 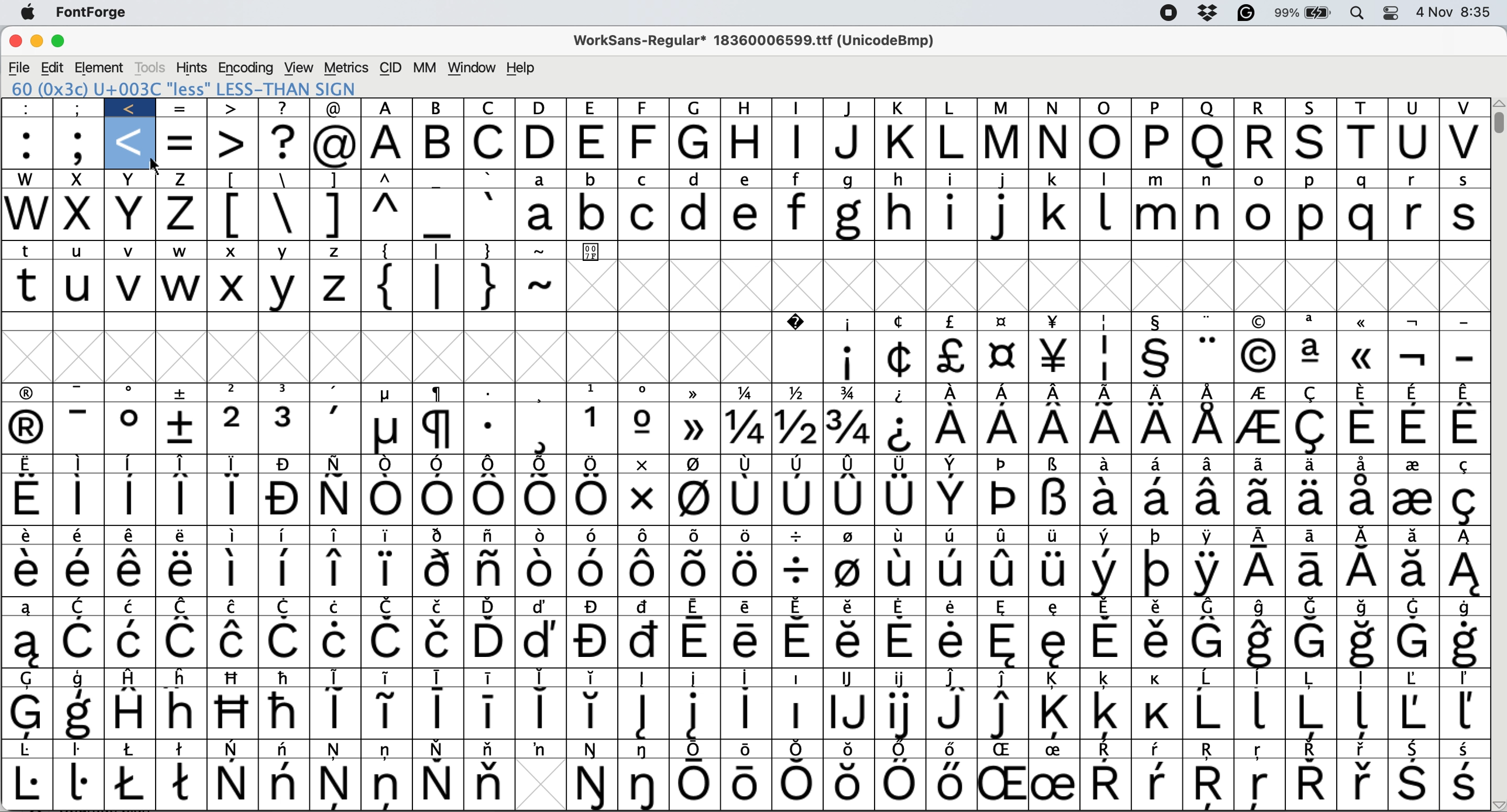 I want to click on Symbol, so click(x=594, y=749).